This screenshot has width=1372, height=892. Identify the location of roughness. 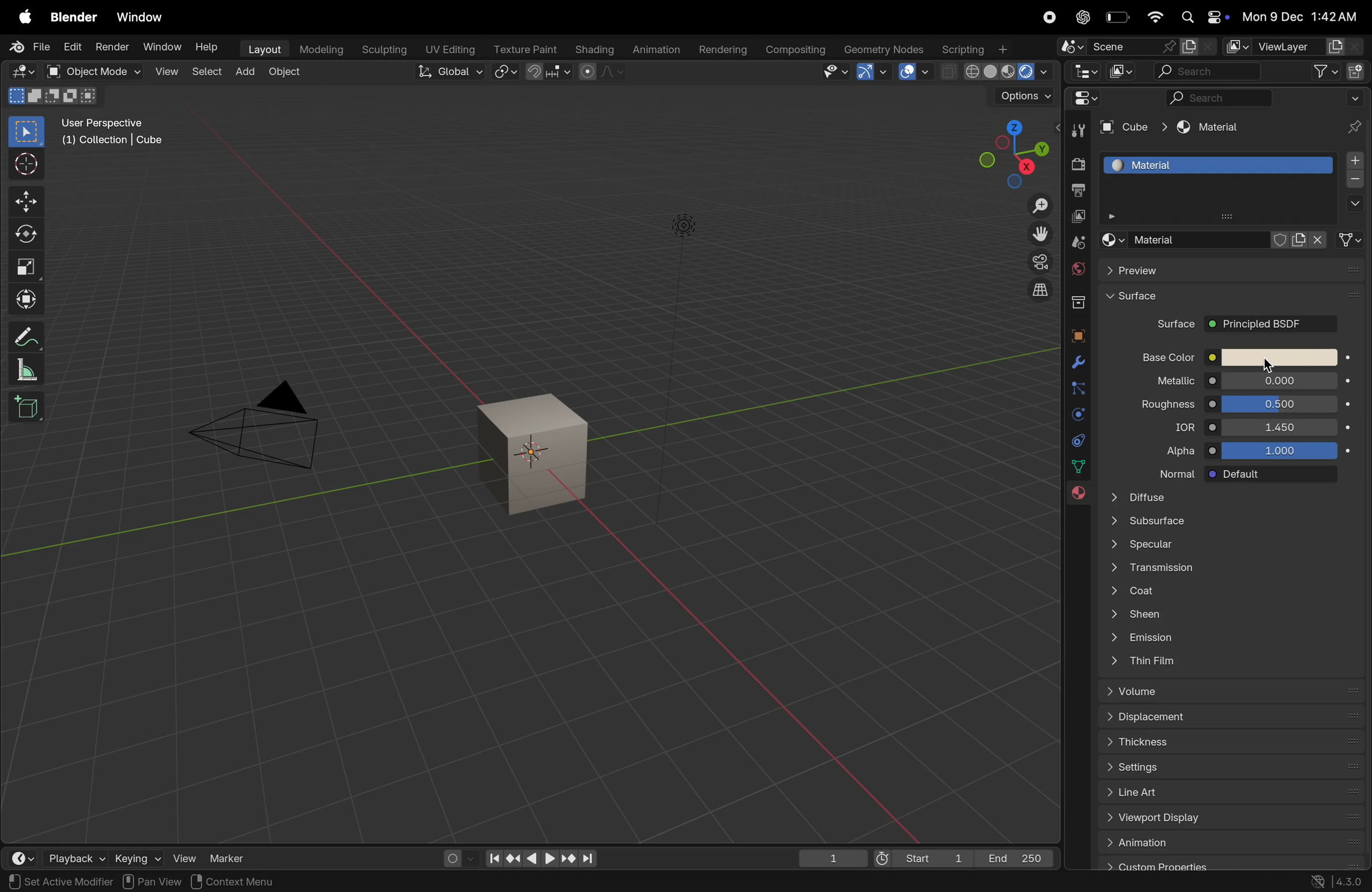
(1158, 406).